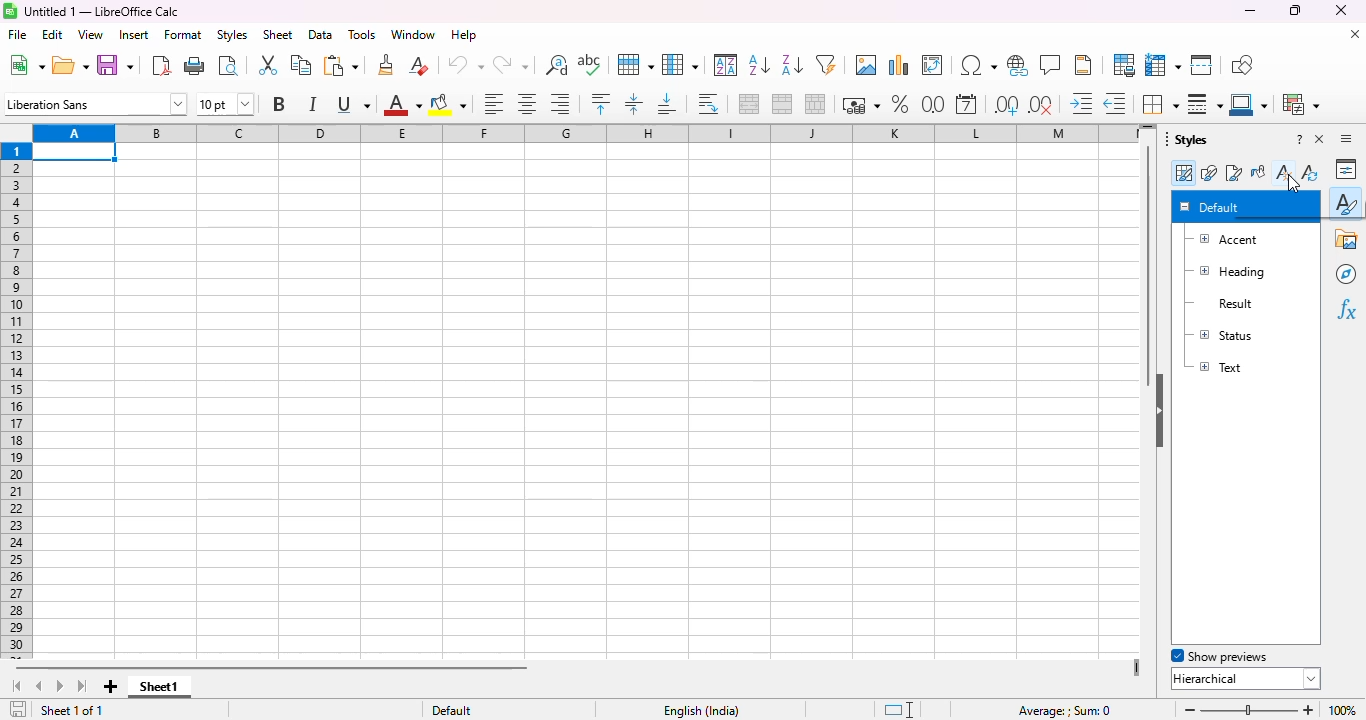  I want to click on font size, so click(225, 104).